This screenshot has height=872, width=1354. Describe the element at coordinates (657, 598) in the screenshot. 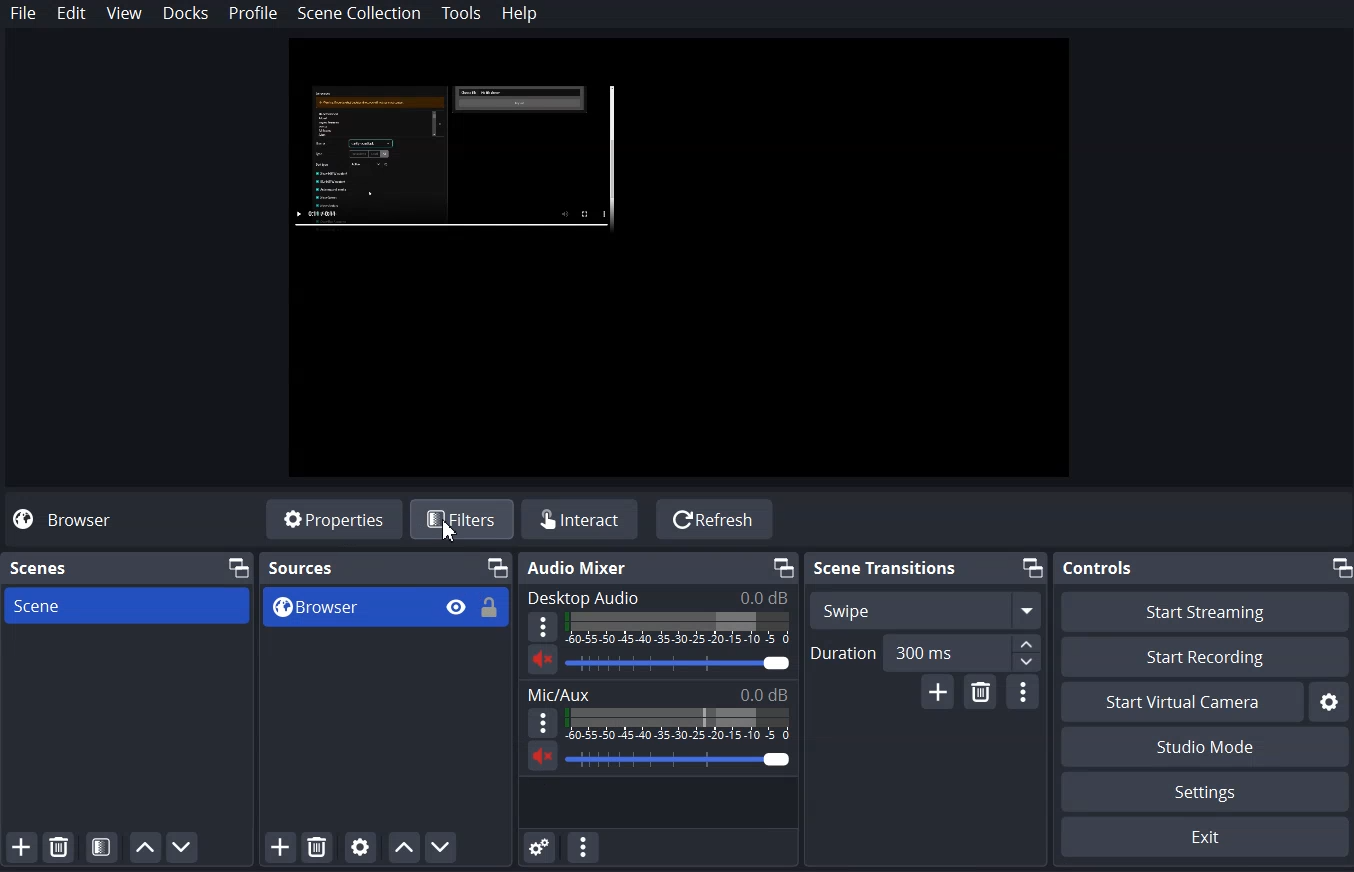

I see `Desktop Audio` at that location.